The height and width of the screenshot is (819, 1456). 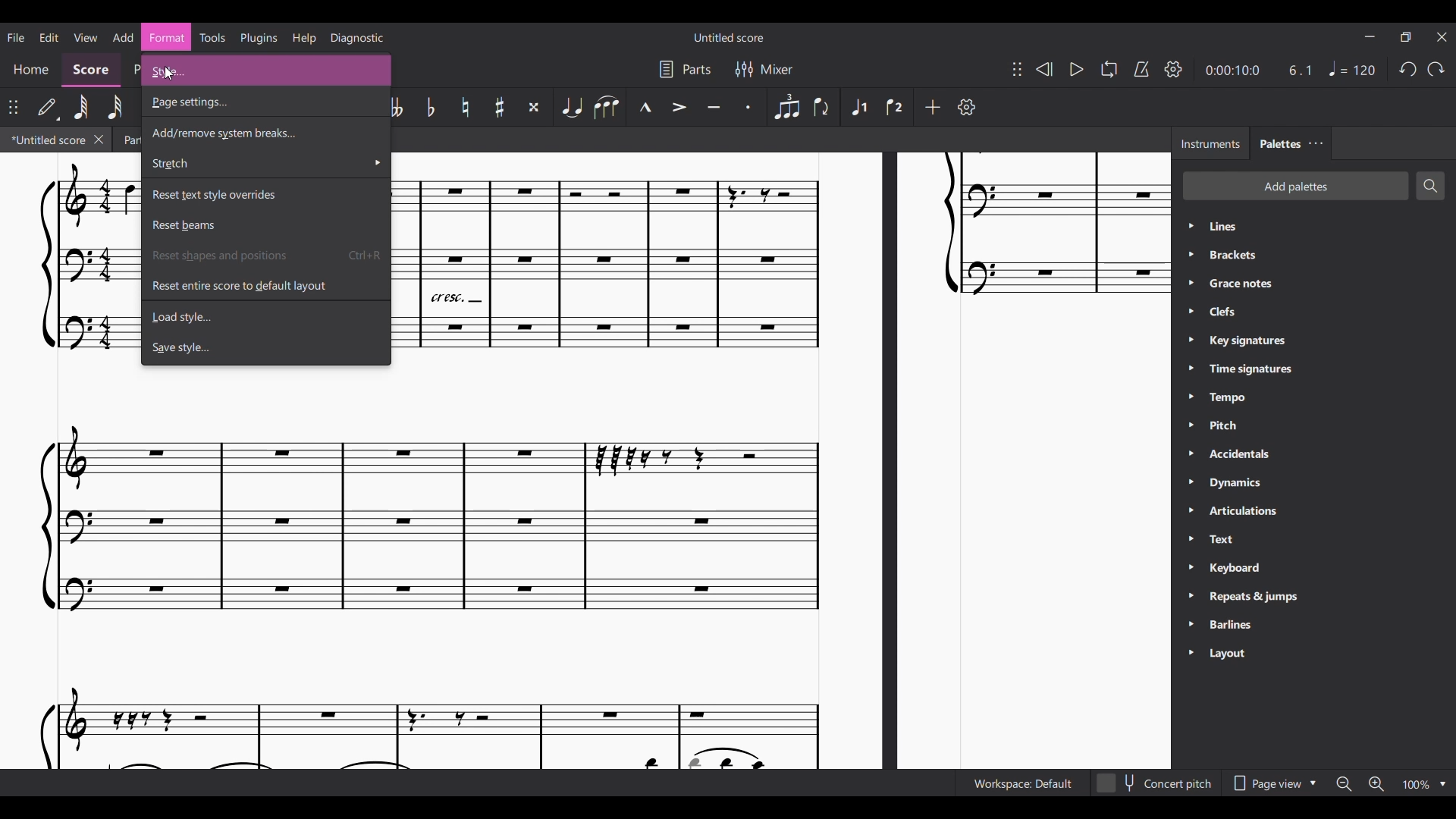 What do you see at coordinates (1417, 785) in the screenshot?
I see `Current zoom factor` at bounding box center [1417, 785].